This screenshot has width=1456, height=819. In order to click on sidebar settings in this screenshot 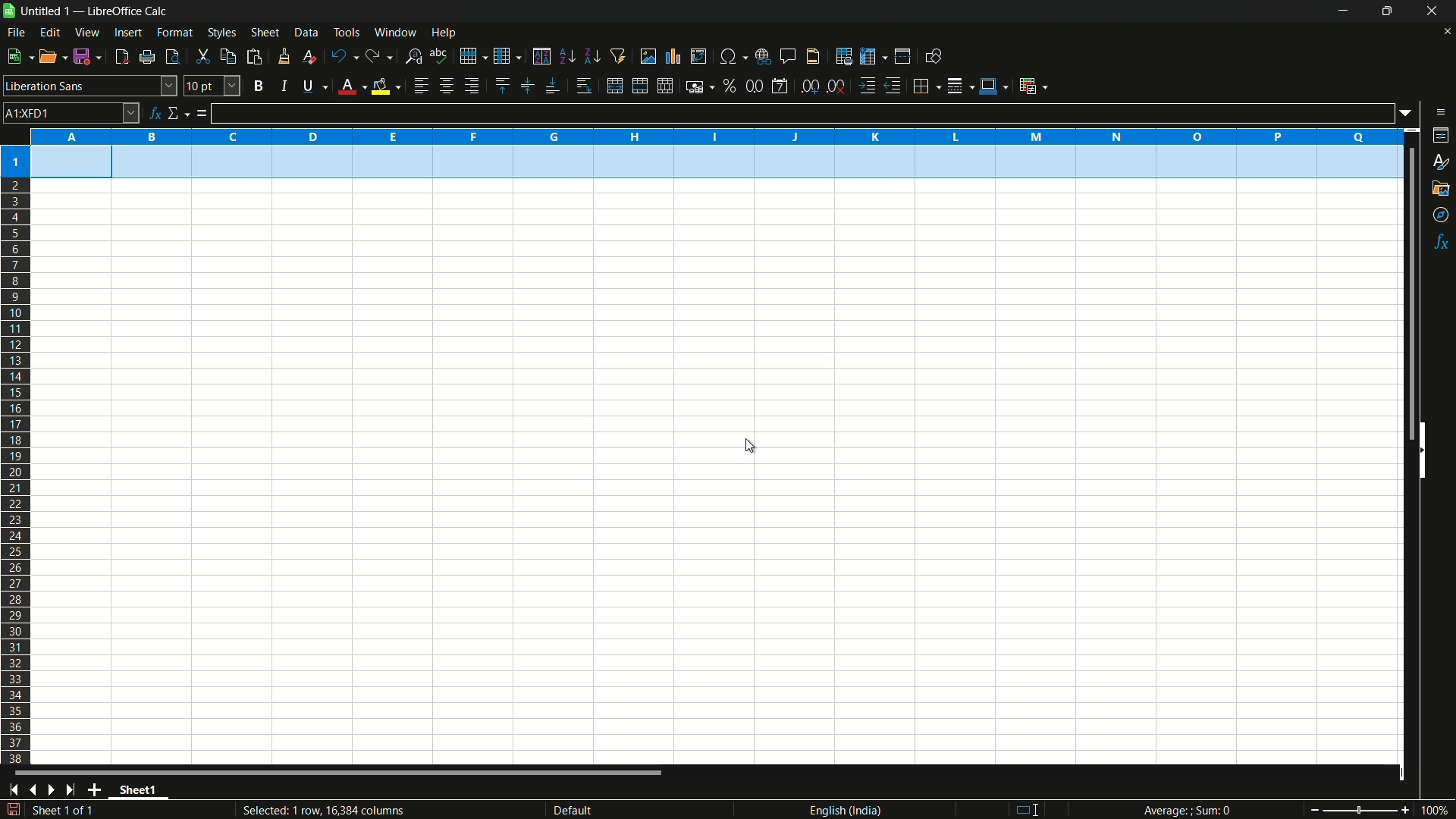, I will do `click(1440, 112)`.